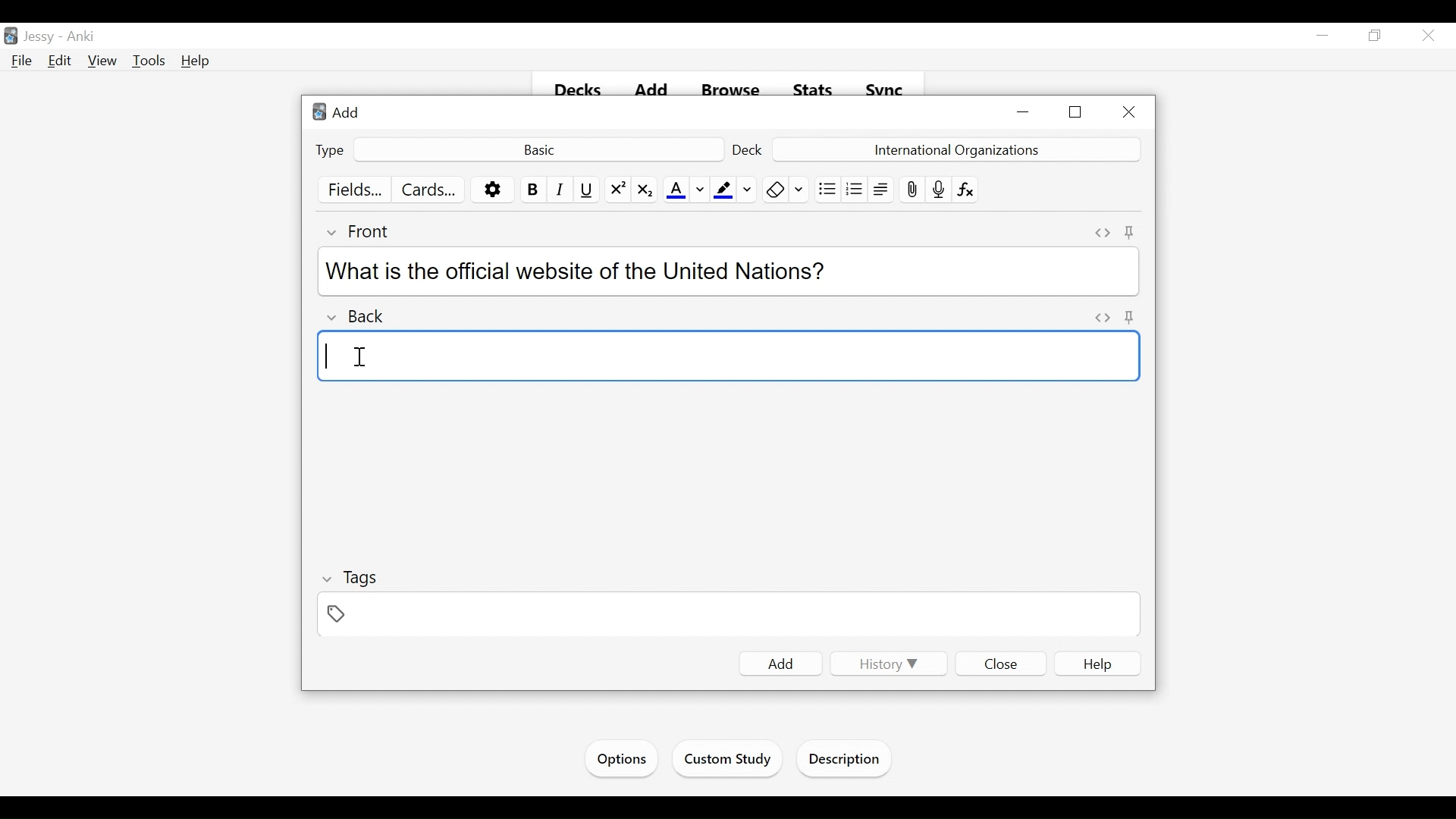 This screenshot has height=819, width=1456. Describe the element at coordinates (748, 190) in the screenshot. I see `Change Color` at that location.